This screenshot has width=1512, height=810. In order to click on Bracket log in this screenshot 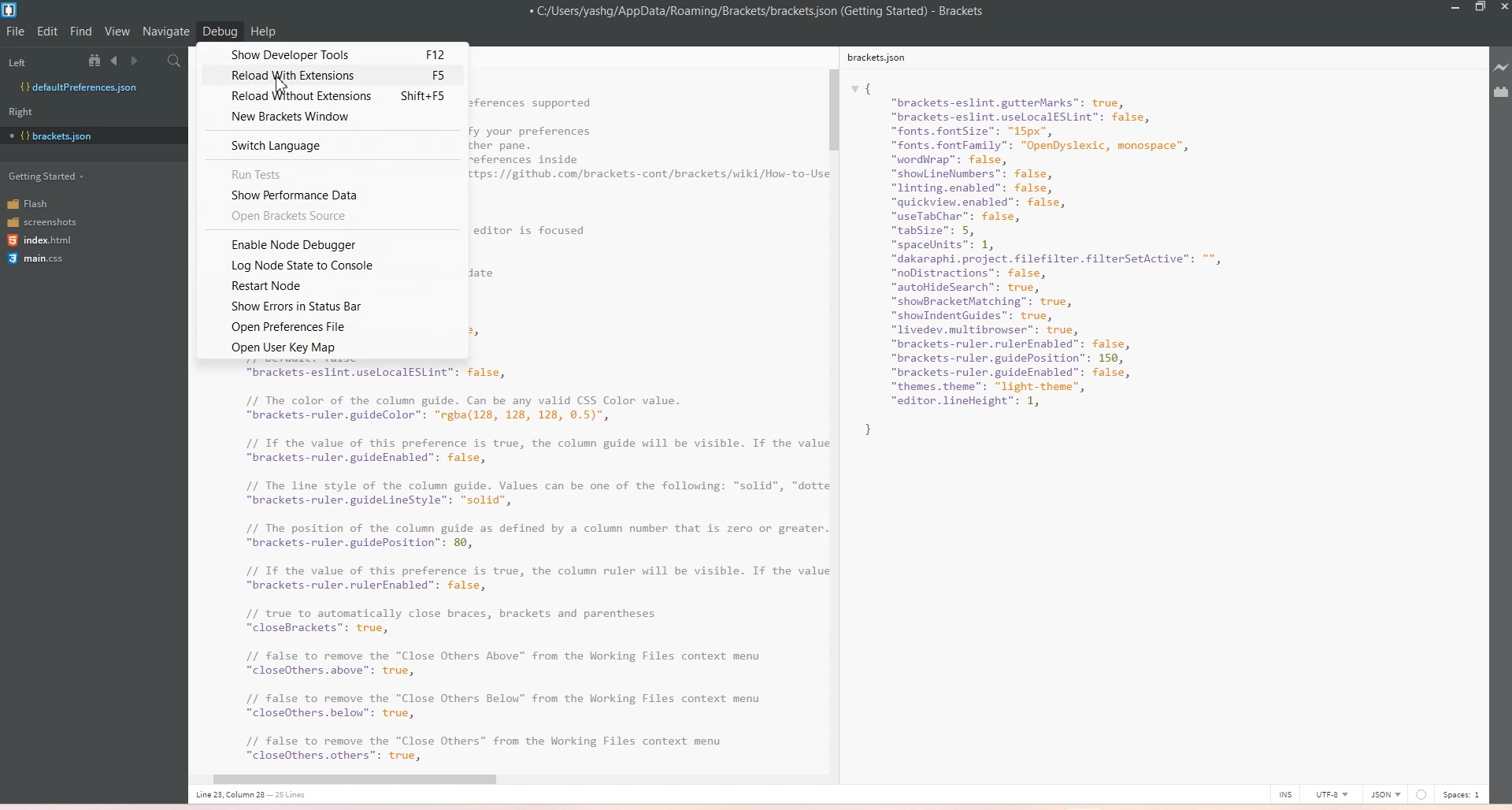, I will do `click(11, 10)`.